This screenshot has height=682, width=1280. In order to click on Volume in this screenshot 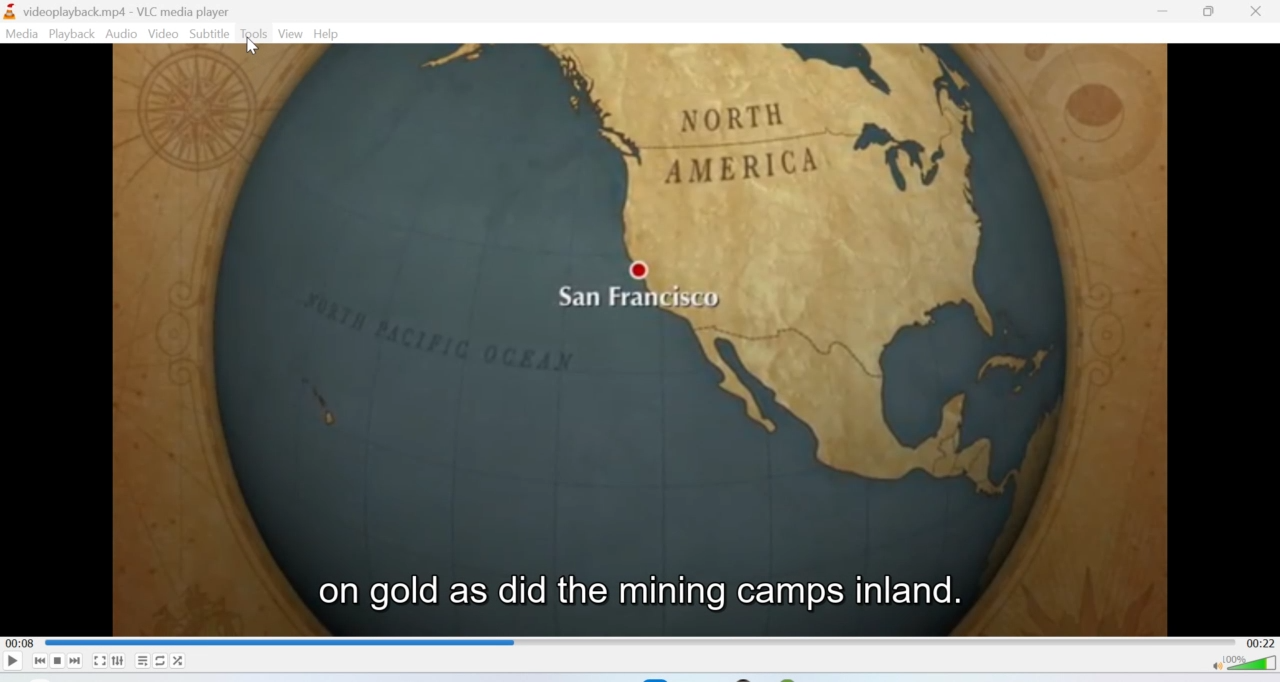, I will do `click(1245, 667)`.